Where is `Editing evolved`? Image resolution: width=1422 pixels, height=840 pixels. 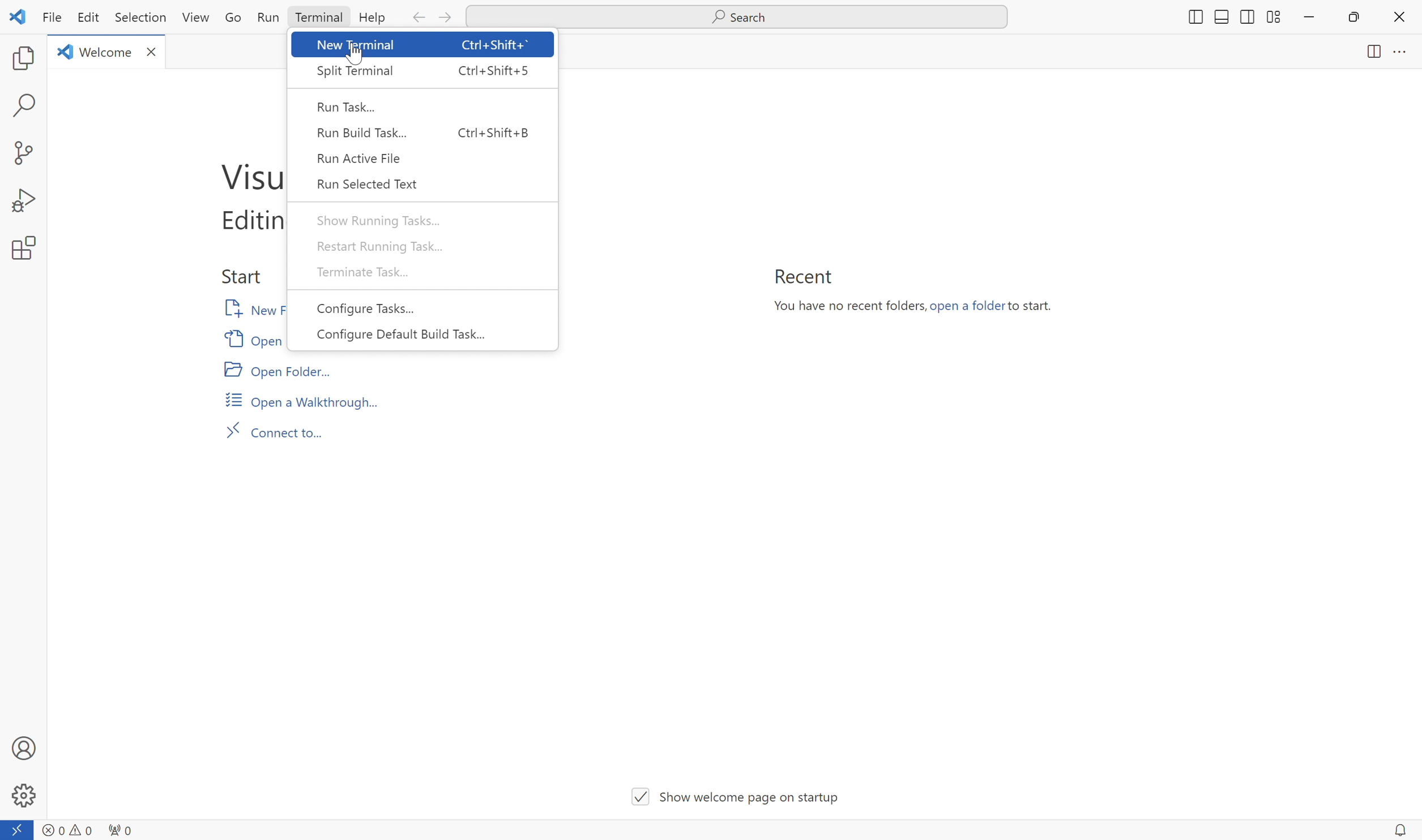
Editing evolved is located at coordinates (245, 222).